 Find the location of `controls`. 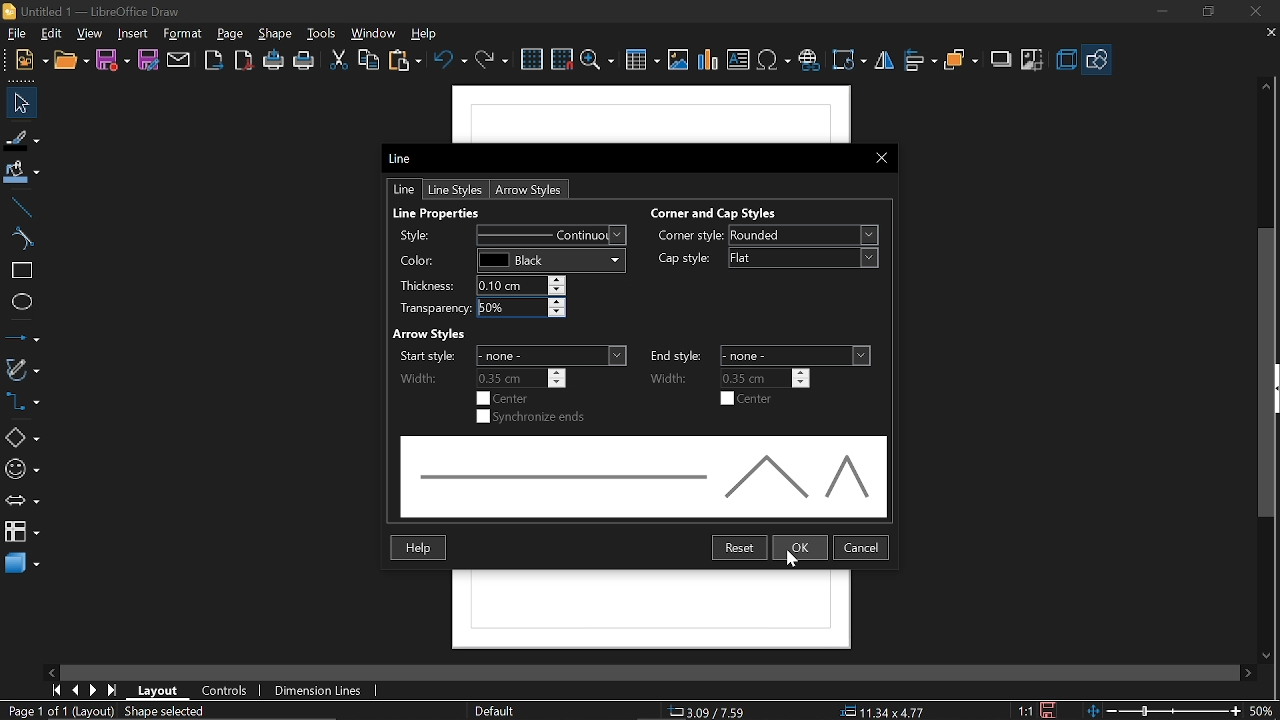

controls is located at coordinates (225, 692).